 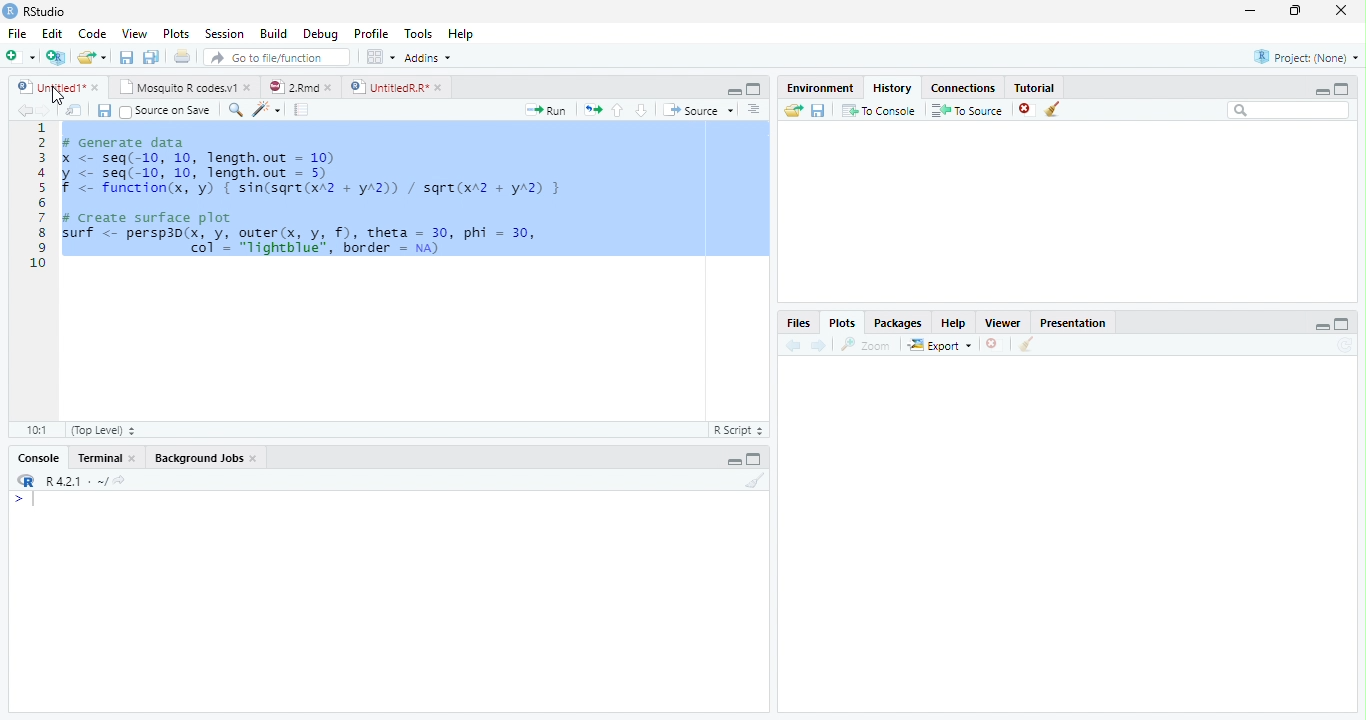 What do you see at coordinates (134, 33) in the screenshot?
I see `View` at bounding box center [134, 33].